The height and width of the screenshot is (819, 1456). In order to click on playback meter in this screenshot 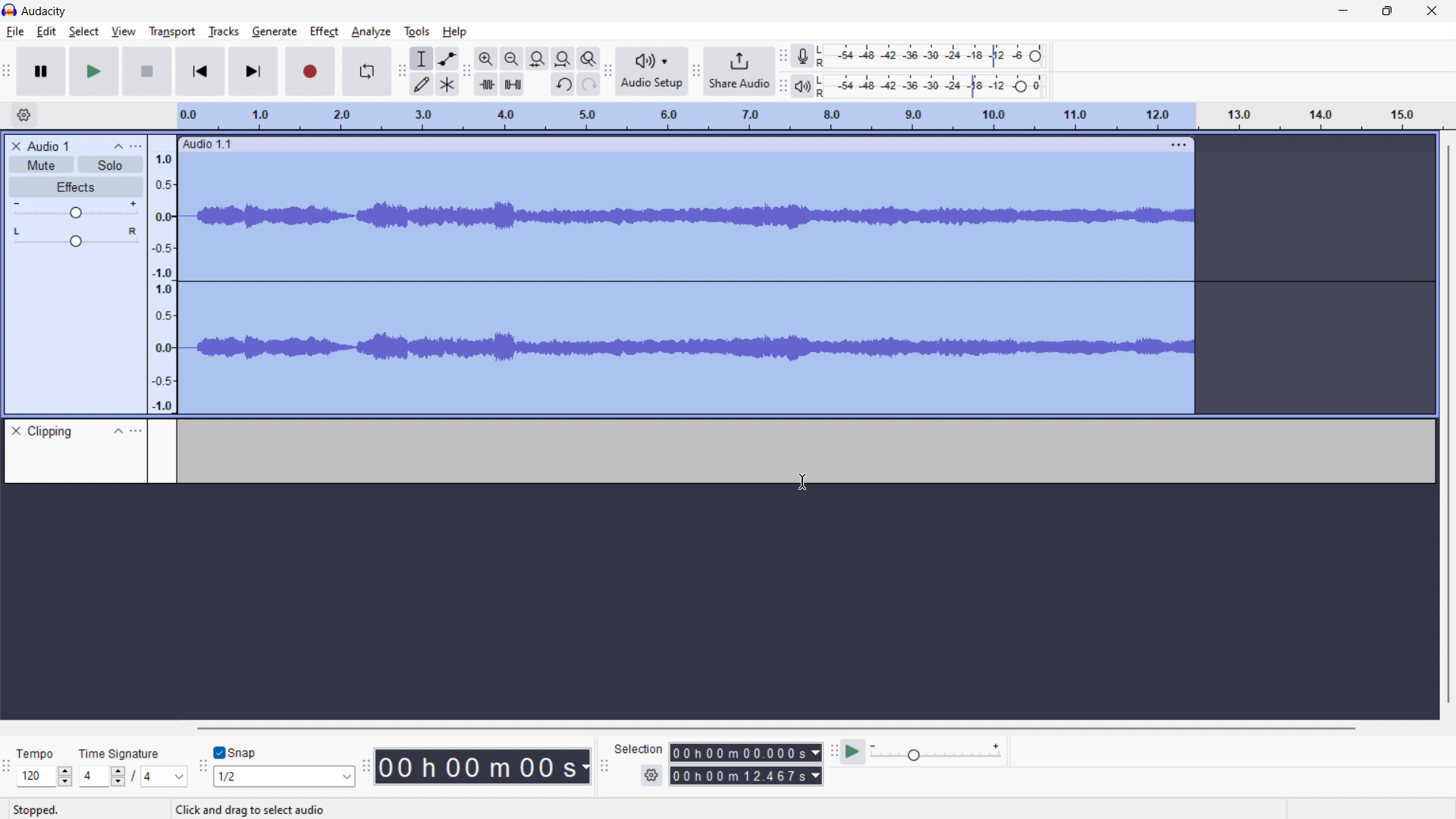, I will do `click(803, 86)`.